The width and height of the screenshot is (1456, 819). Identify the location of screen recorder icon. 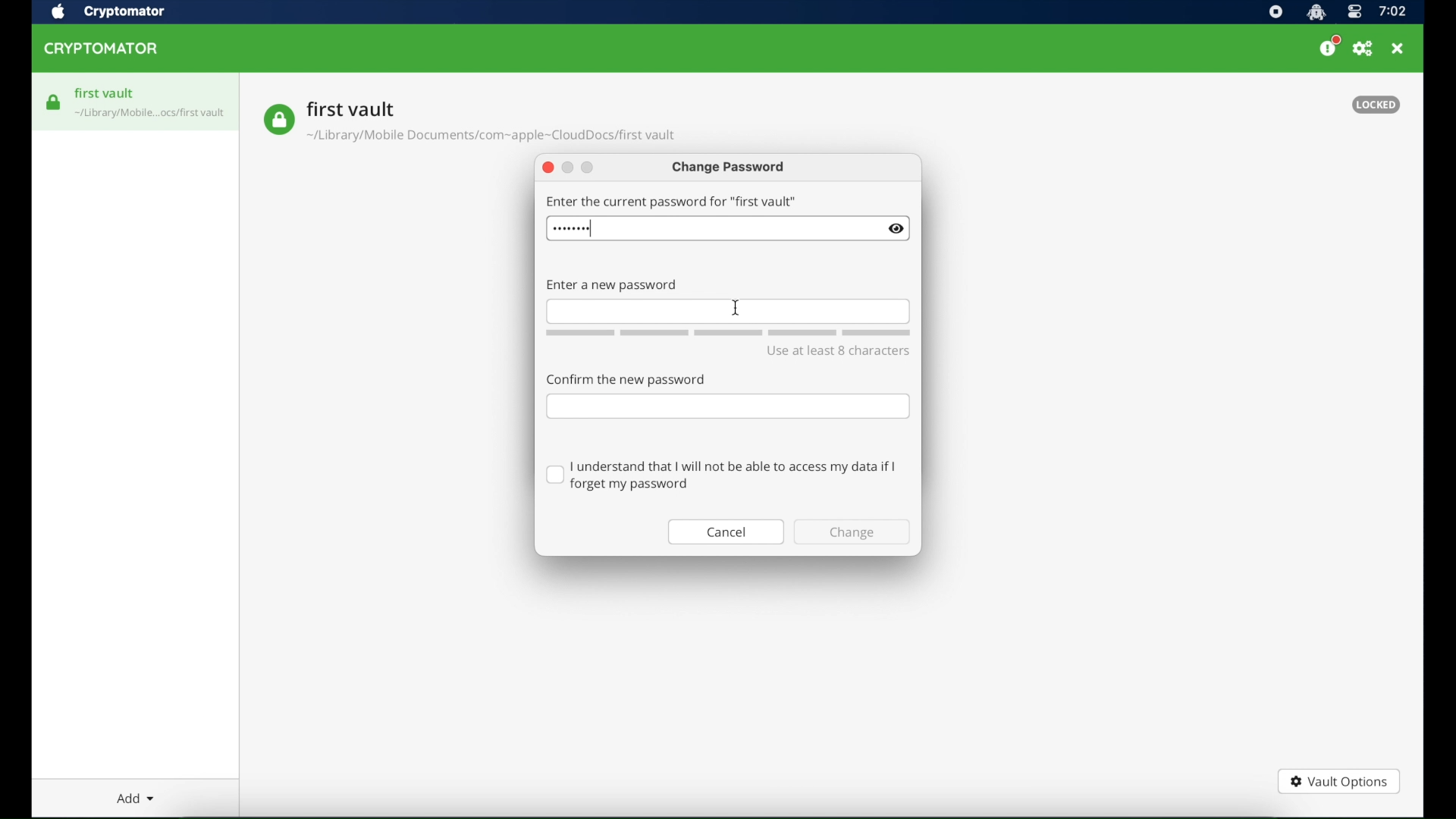
(1276, 13).